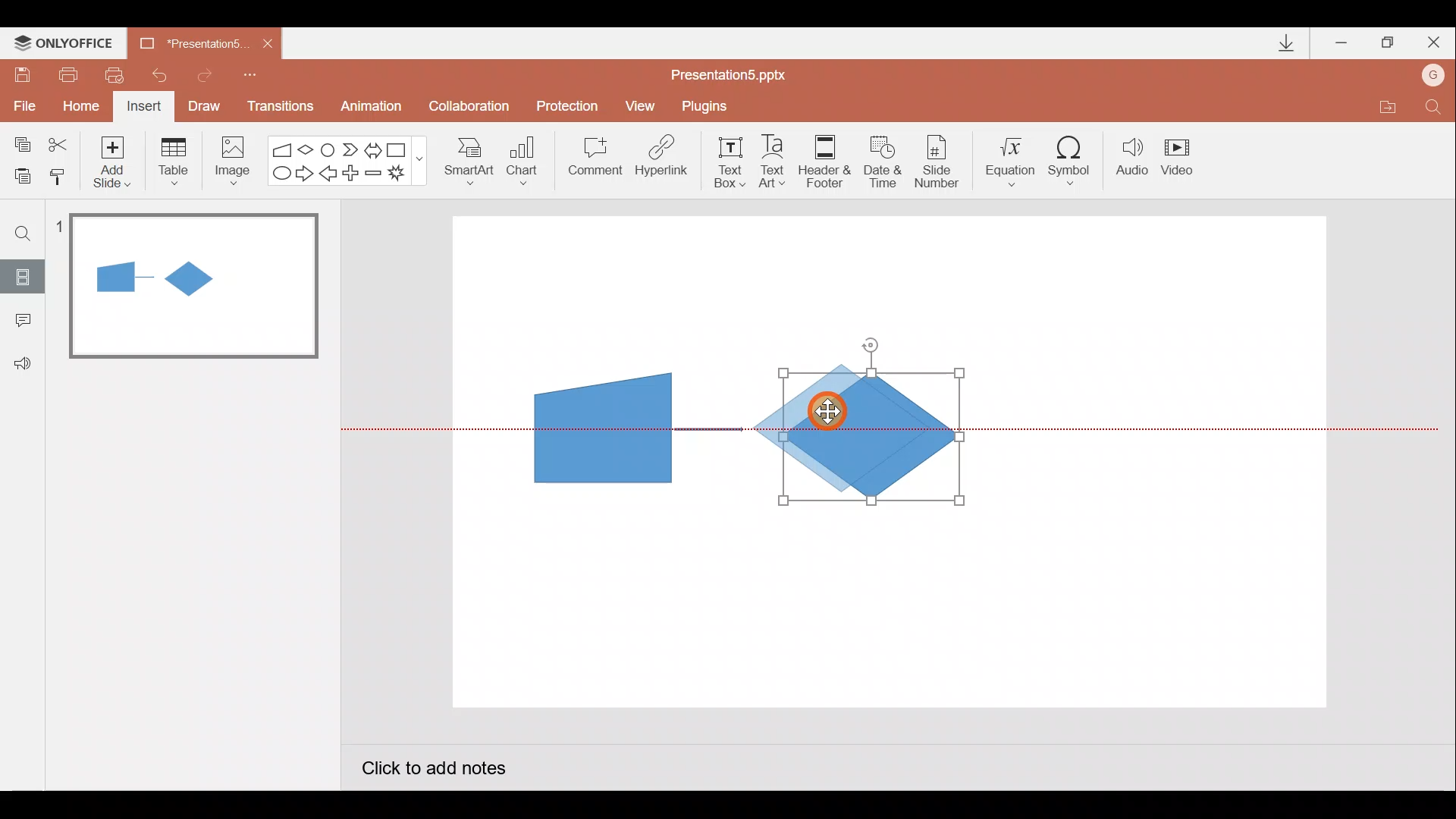  Describe the element at coordinates (1388, 43) in the screenshot. I see `Maximize` at that location.